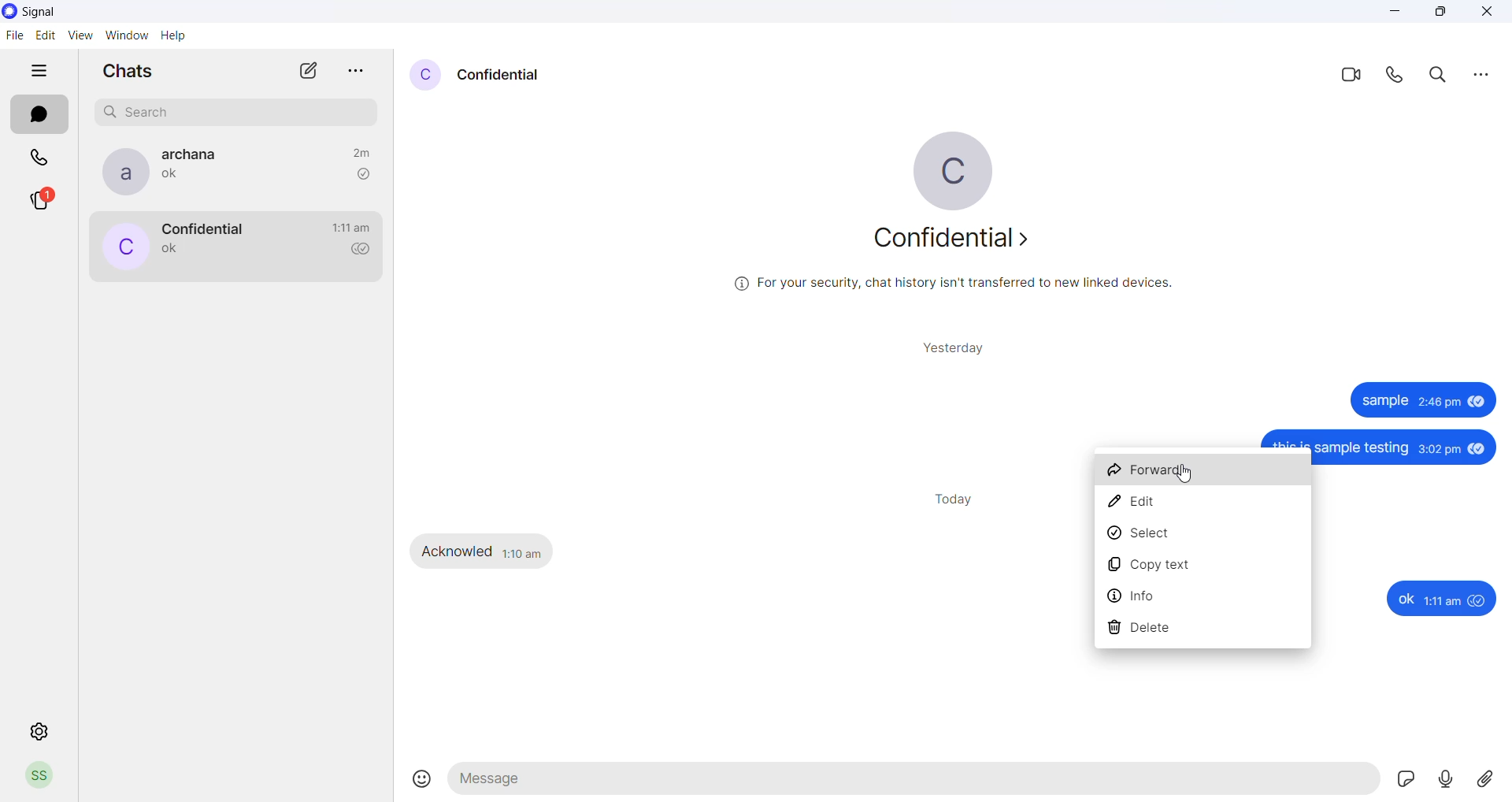 The width and height of the screenshot is (1512, 802). Describe the element at coordinates (965, 171) in the screenshot. I see `profile picture` at that location.